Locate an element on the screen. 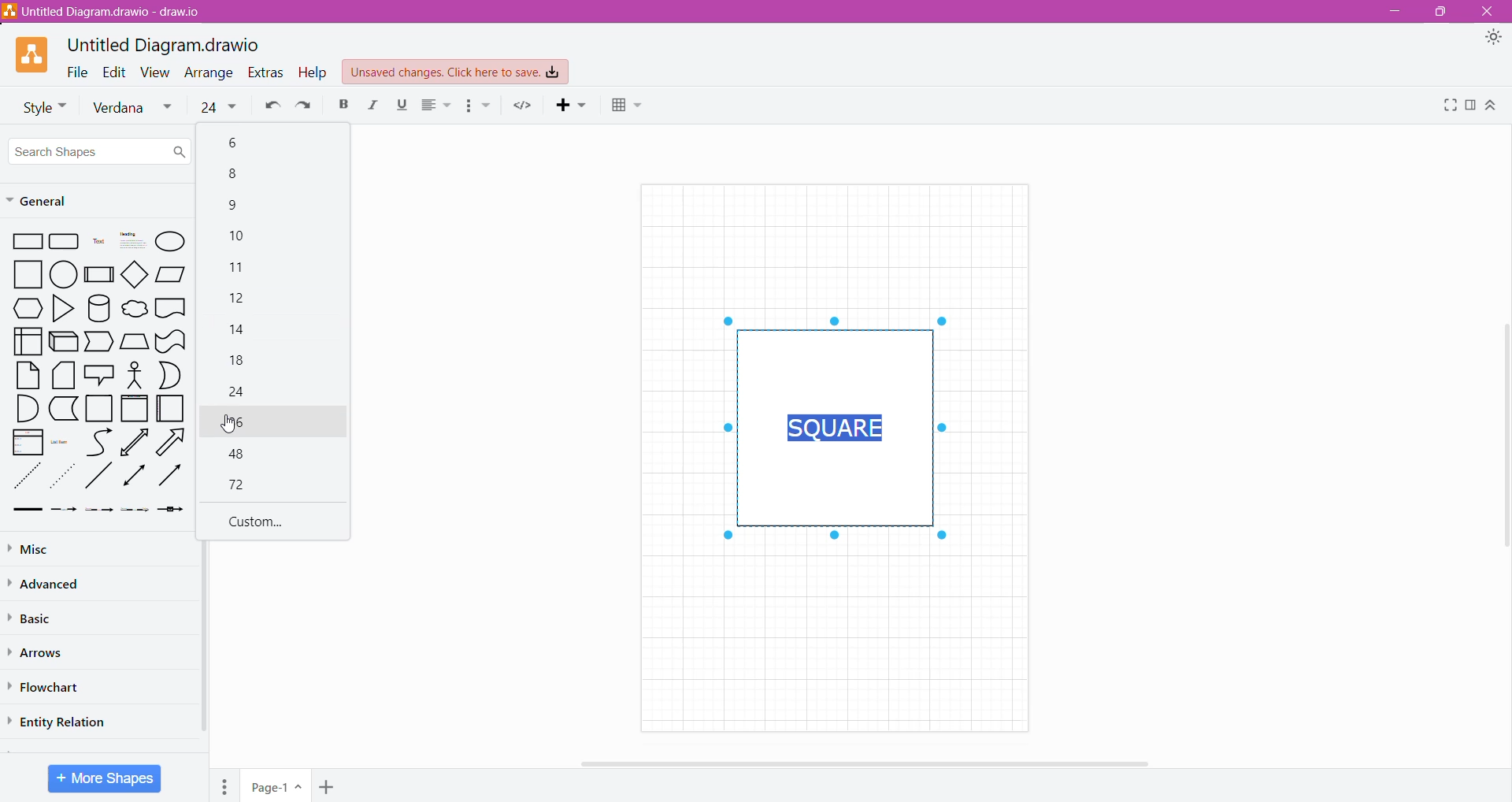 The image size is (1512, 802). Search Shapes is located at coordinates (101, 150).